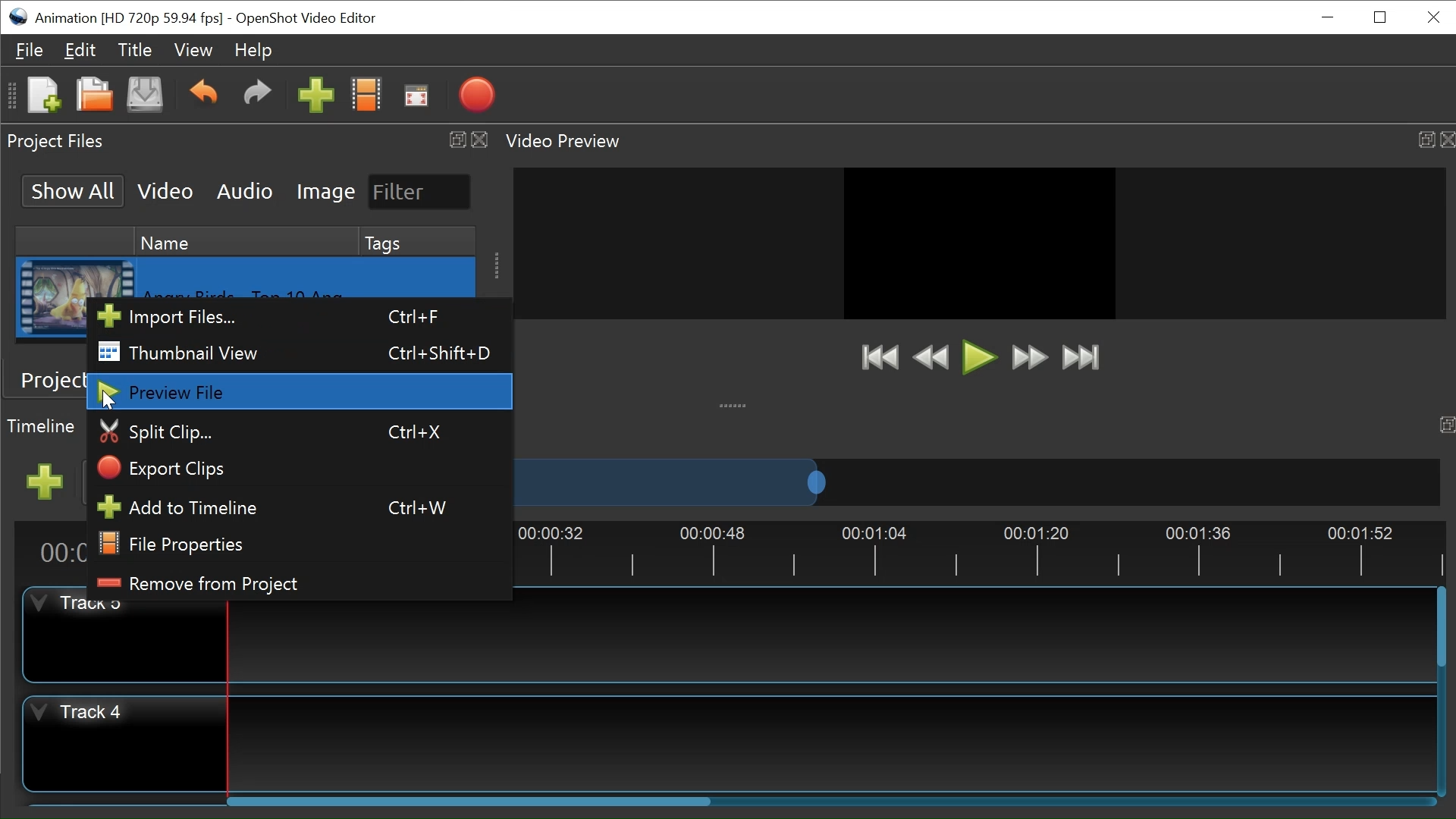 This screenshot has width=1456, height=819. Describe the element at coordinates (1446, 138) in the screenshot. I see `Close` at that location.